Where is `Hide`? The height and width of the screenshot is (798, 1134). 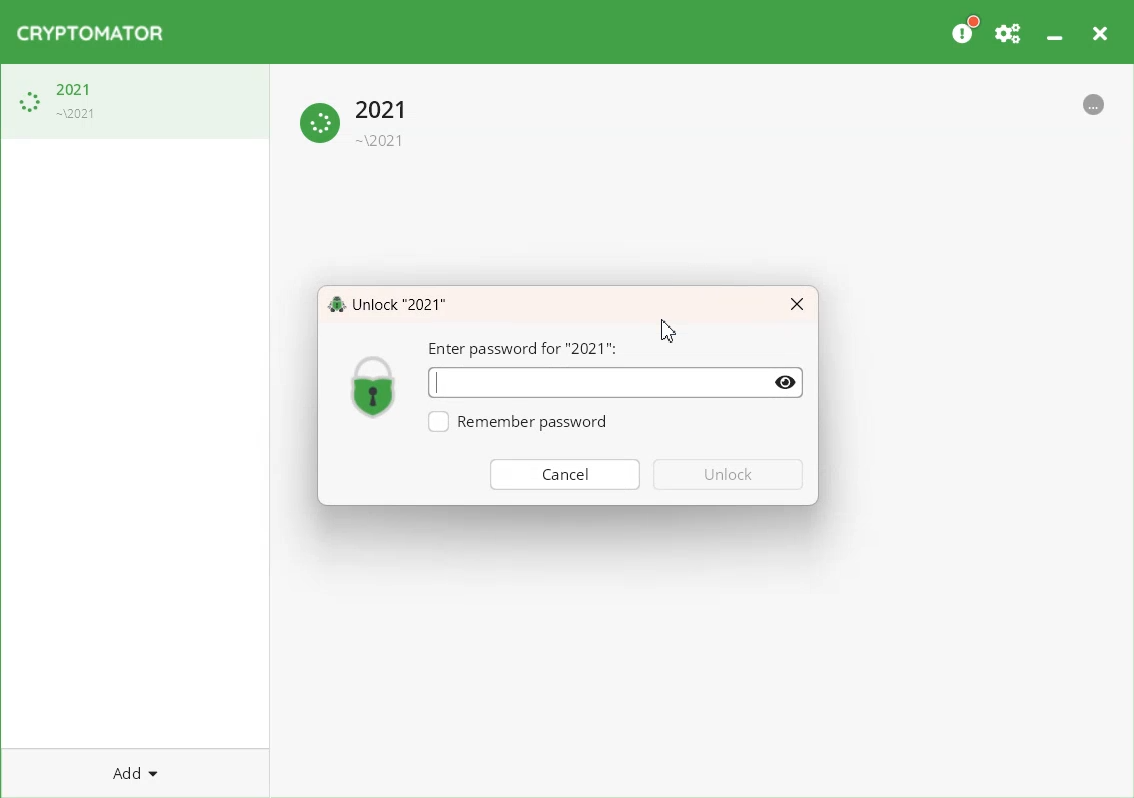
Hide is located at coordinates (787, 383).